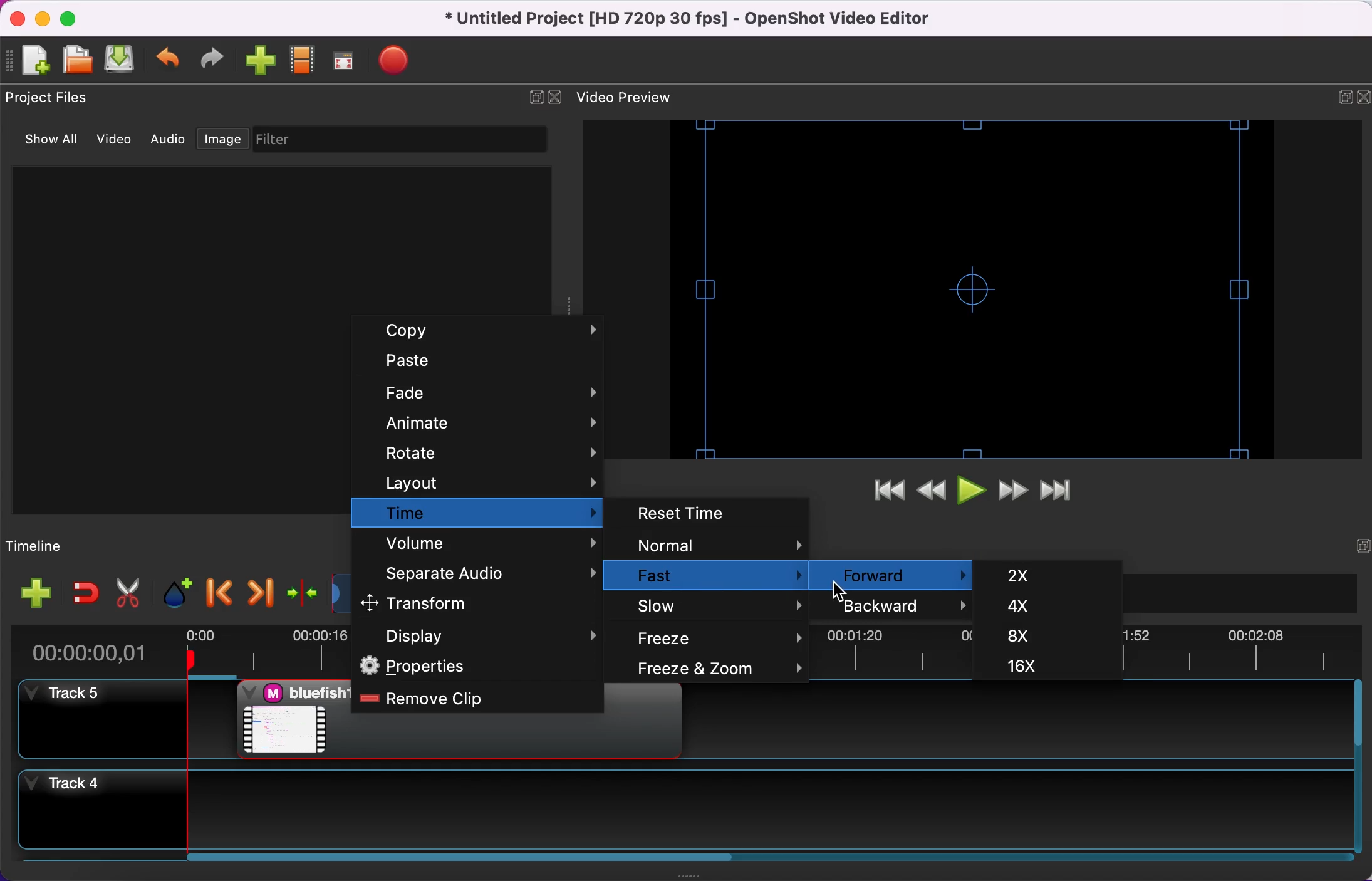  Describe the element at coordinates (1353, 547) in the screenshot. I see `expand/hide` at that location.